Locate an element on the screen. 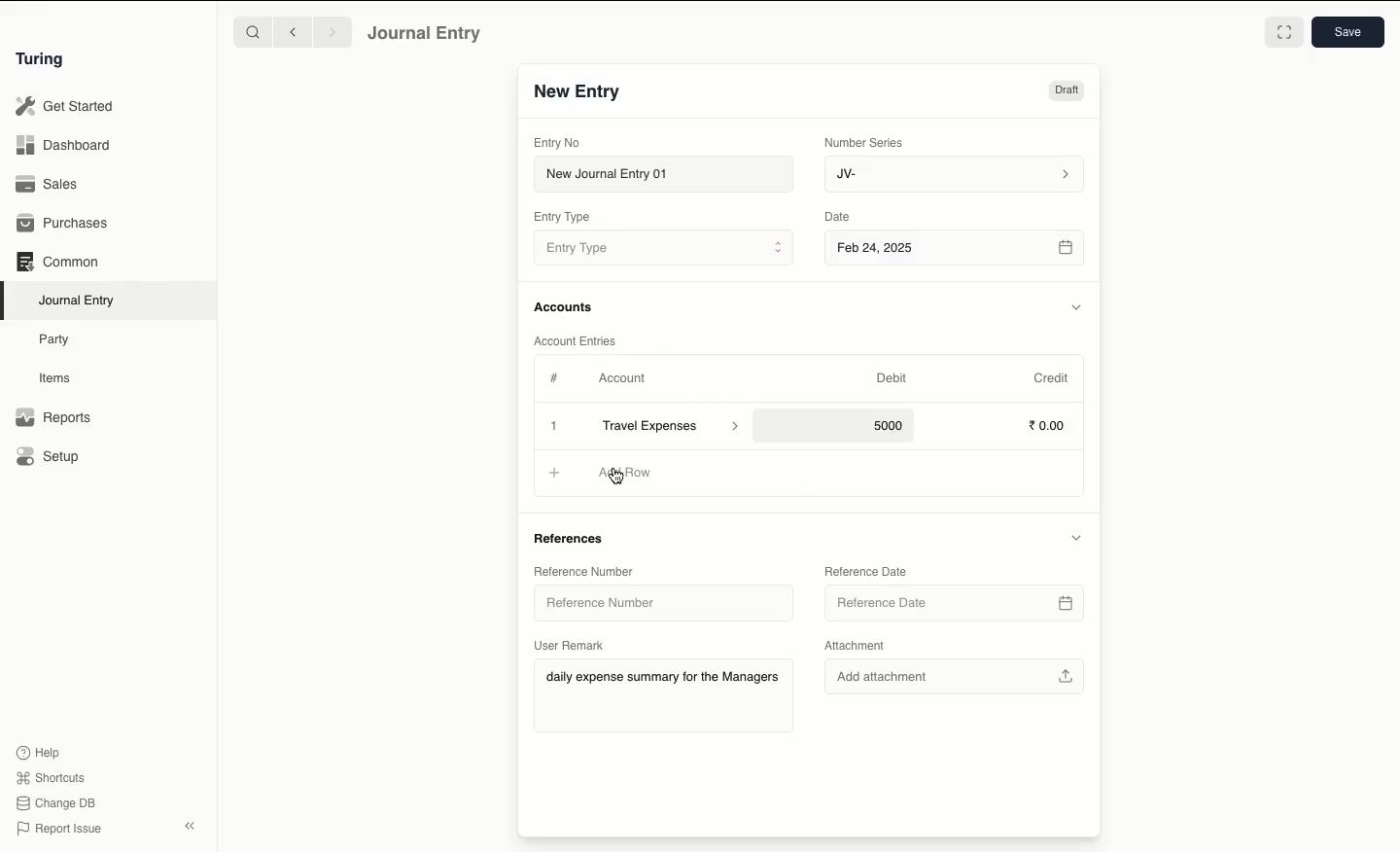  Party is located at coordinates (59, 340).